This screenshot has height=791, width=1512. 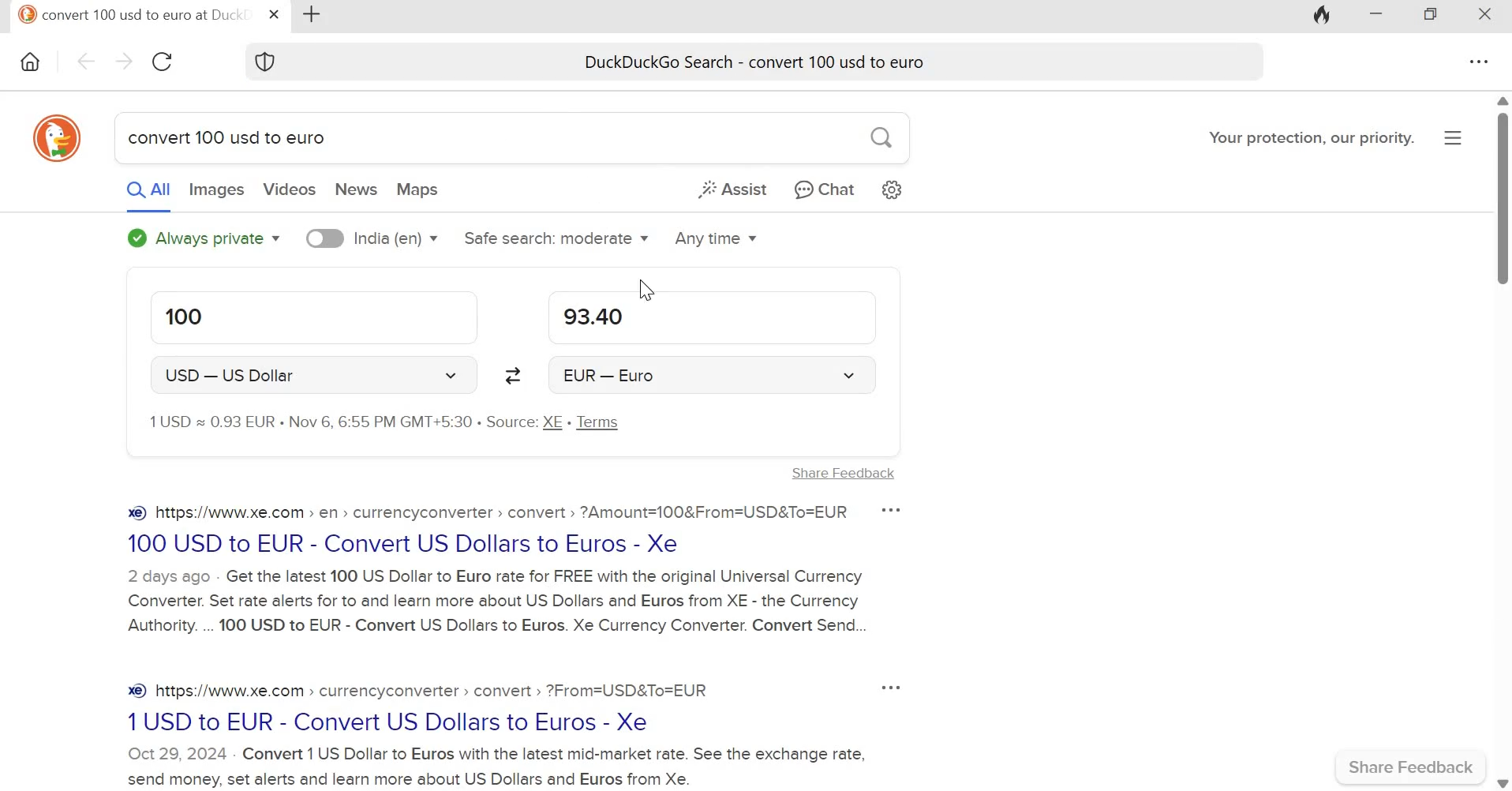 What do you see at coordinates (1377, 16) in the screenshot?
I see `Minimize` at bounding box center [1377, 16].